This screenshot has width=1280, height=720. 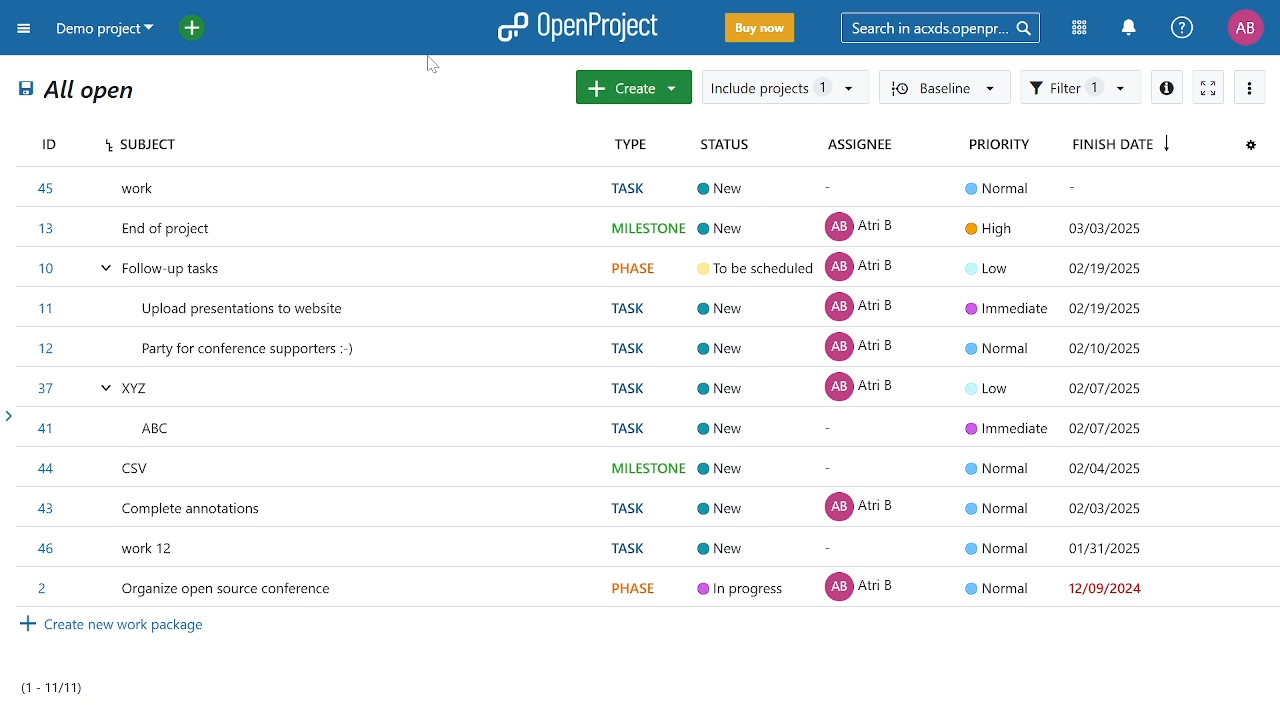 What do you see at coordinates (649, 586) in the screenshot?
I see `task titled "work 12"` at bounding box center [649, 586].